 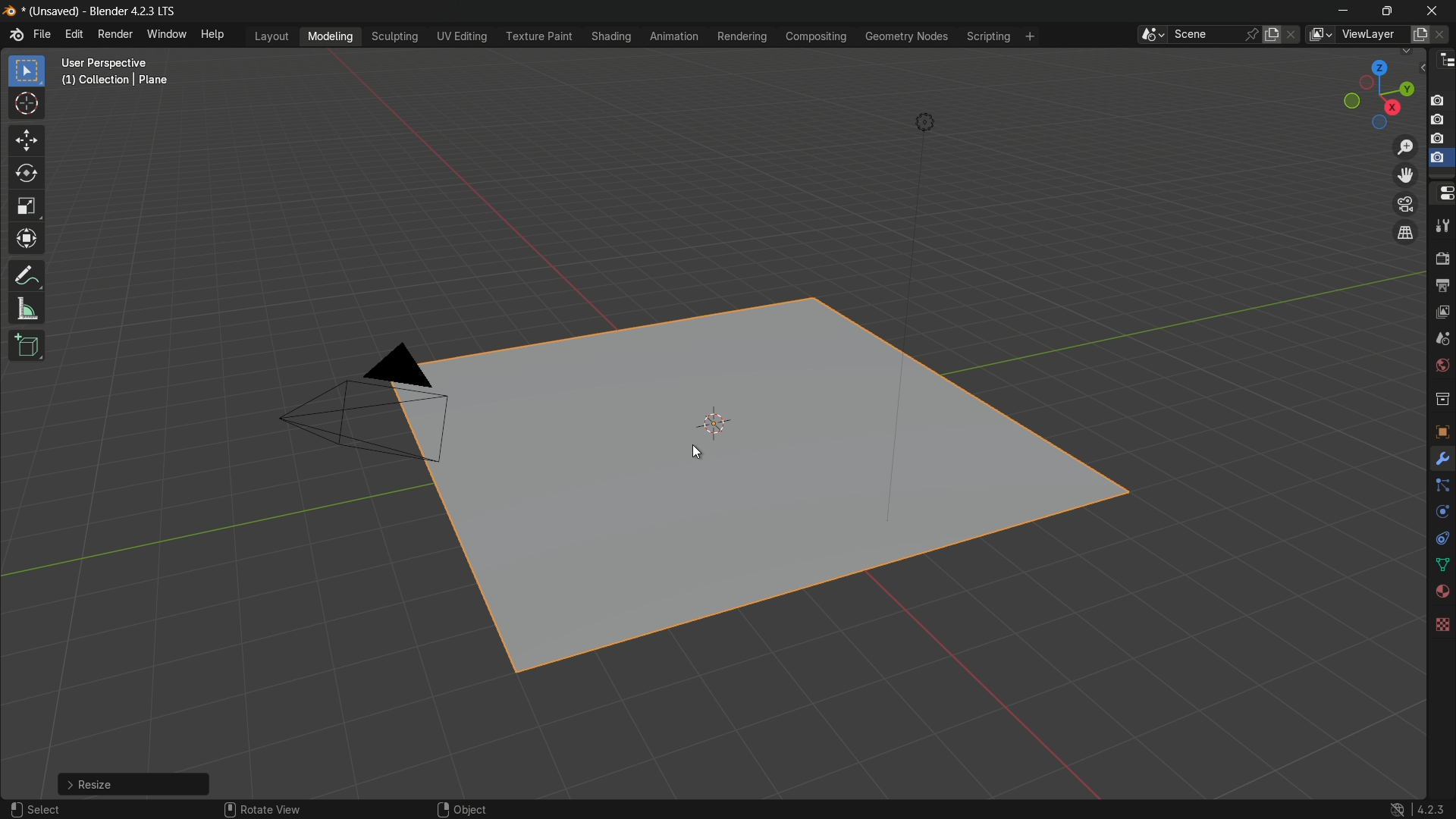 I want to click on physics, so click(x=1441, y=513).